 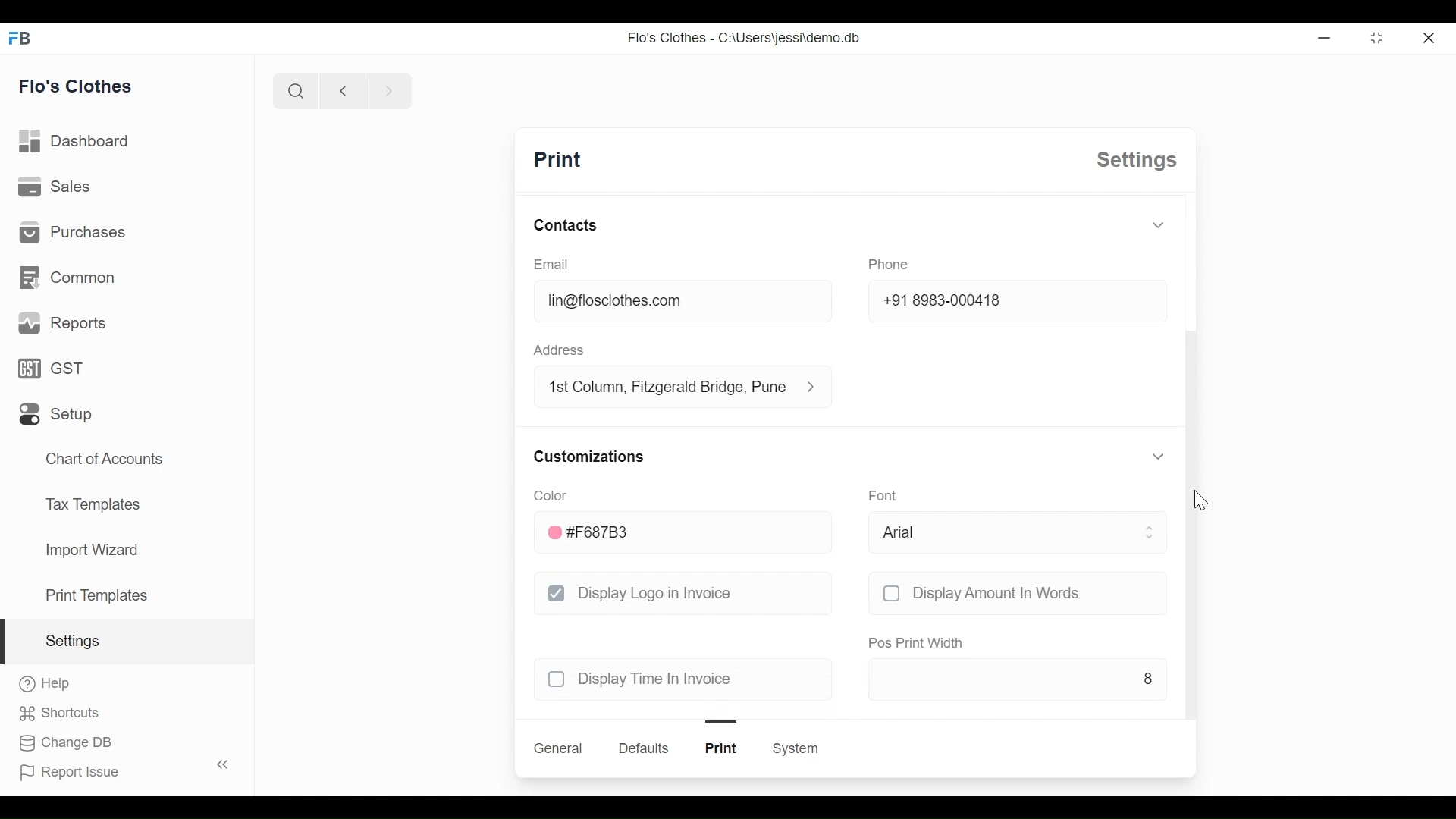 What do you see at coordinates (745, 37) in the screenshot?
I see `Flo's Clothes - C:\Users\jessi\demo.db` at bounding box center [745, 37].